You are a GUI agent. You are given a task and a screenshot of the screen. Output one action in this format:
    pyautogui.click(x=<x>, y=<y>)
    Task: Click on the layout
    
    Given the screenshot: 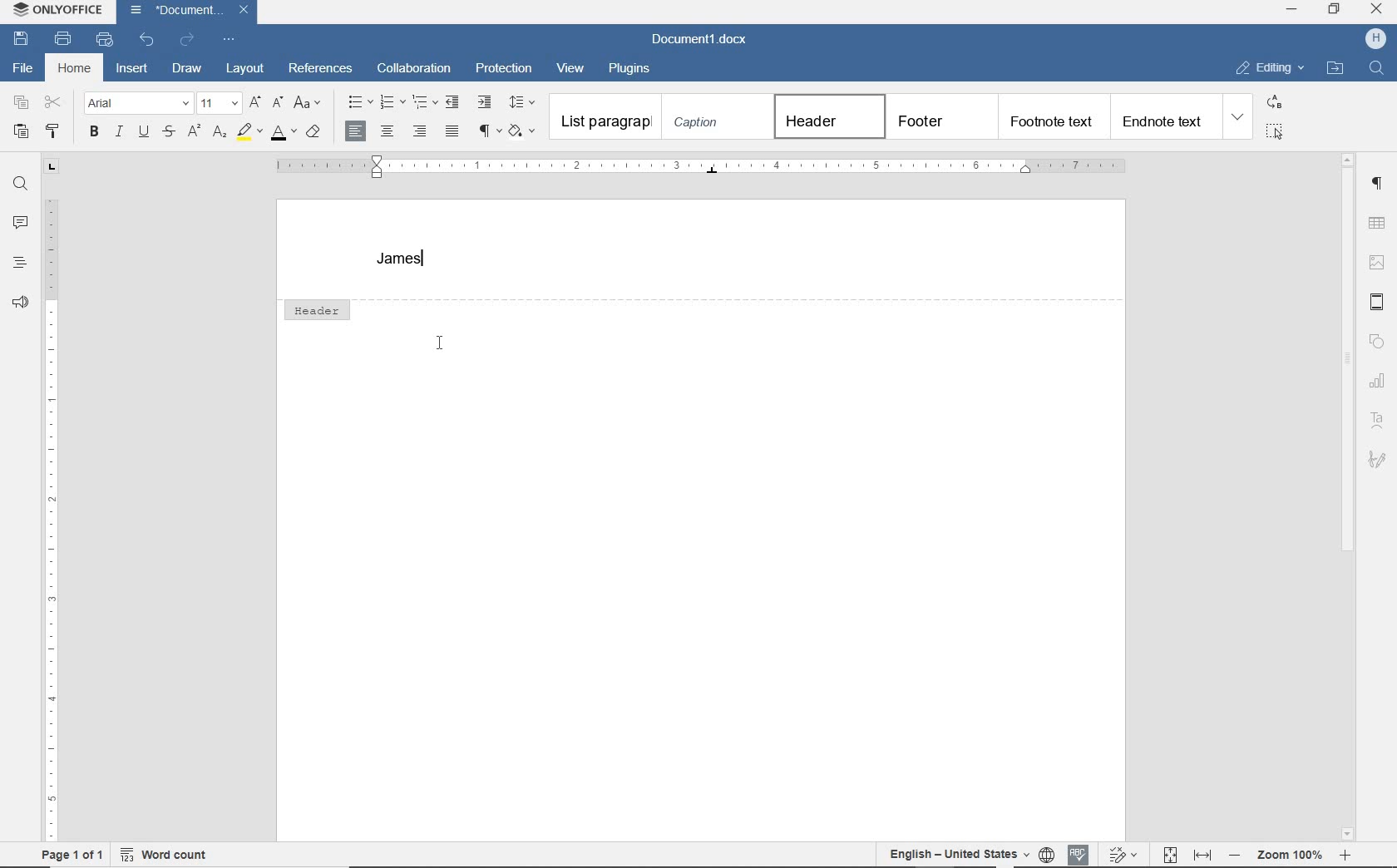 What is the action you would take?
    pyautogui.click(x=245, y=69)
    